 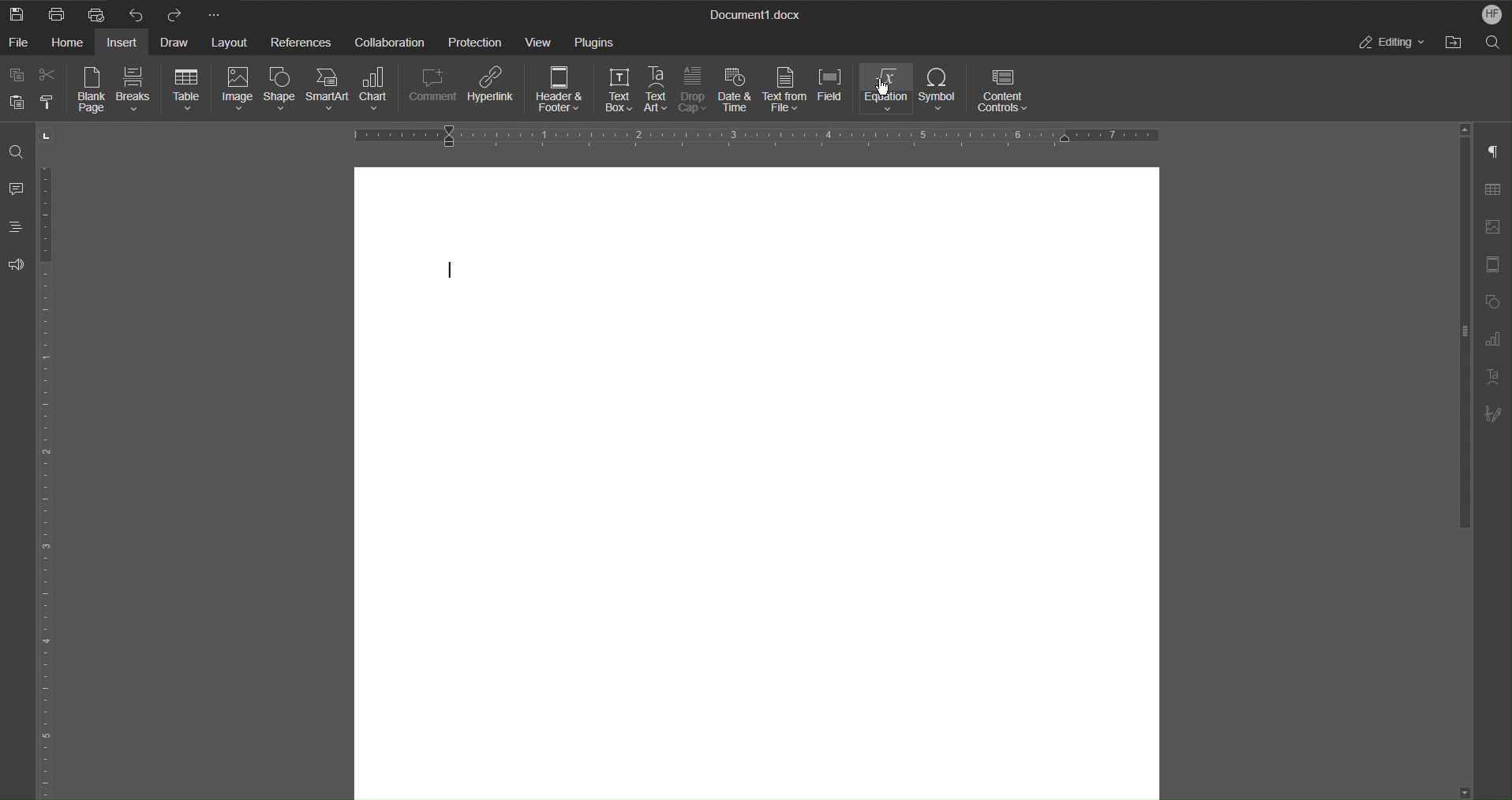 What do you see at coordinates (695, 92) in the screenshot?
I see `Drop Cap` at bounding box center [695, 92].